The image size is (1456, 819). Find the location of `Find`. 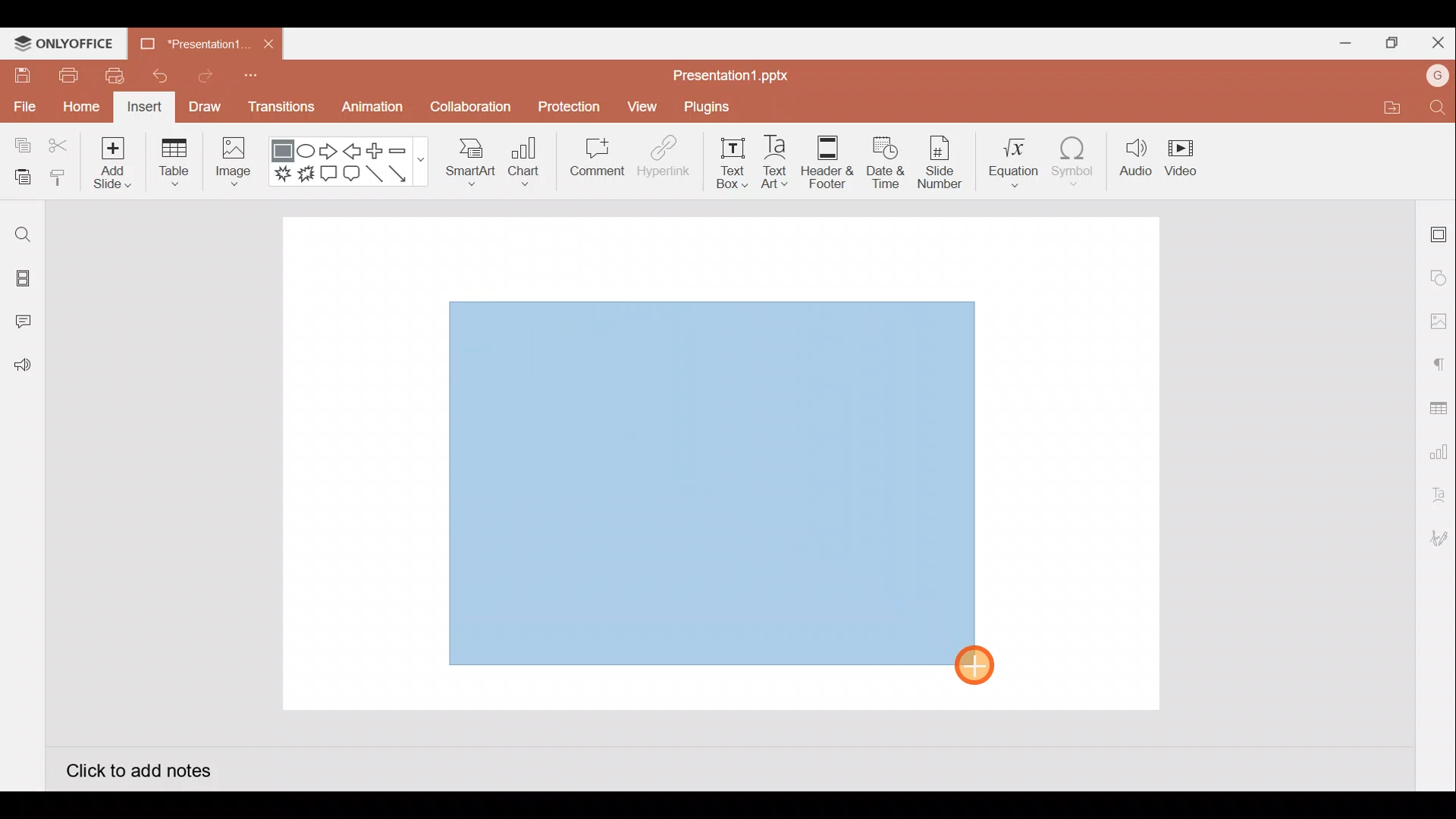

Find is located at coordinates (1439, 107).